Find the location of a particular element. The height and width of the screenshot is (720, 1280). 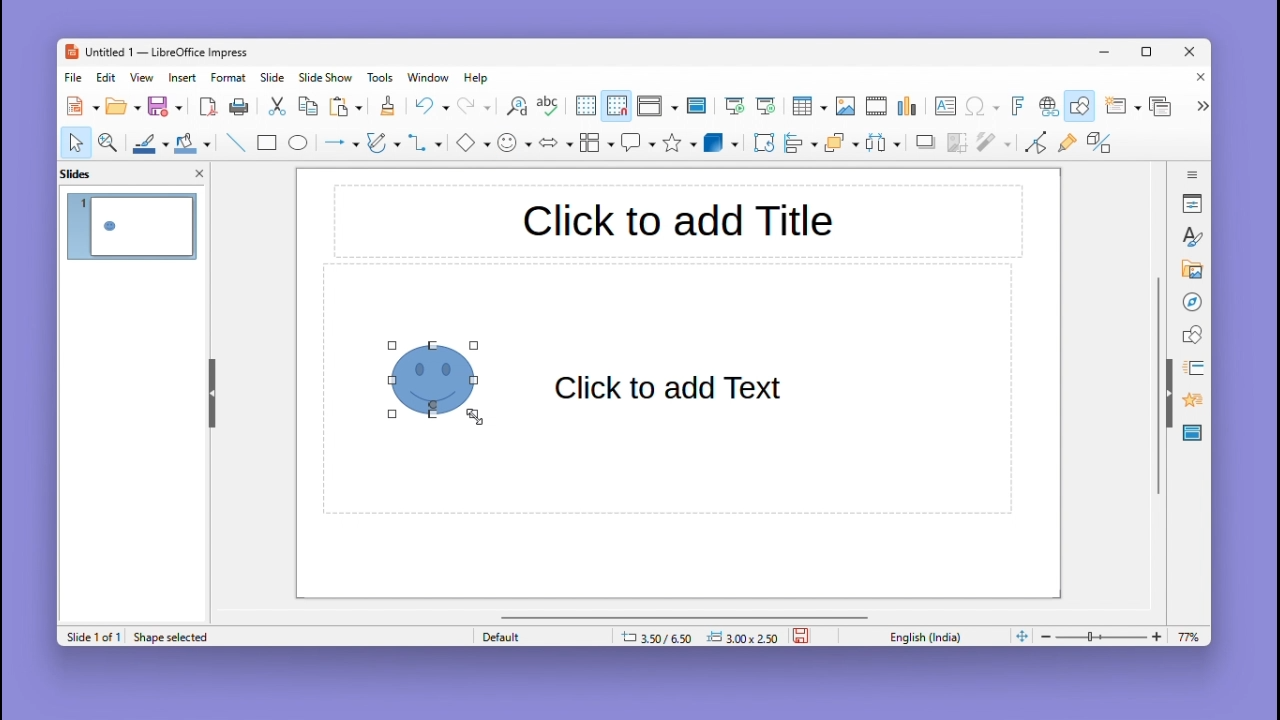

Slide is located at coordinates (273, 77).